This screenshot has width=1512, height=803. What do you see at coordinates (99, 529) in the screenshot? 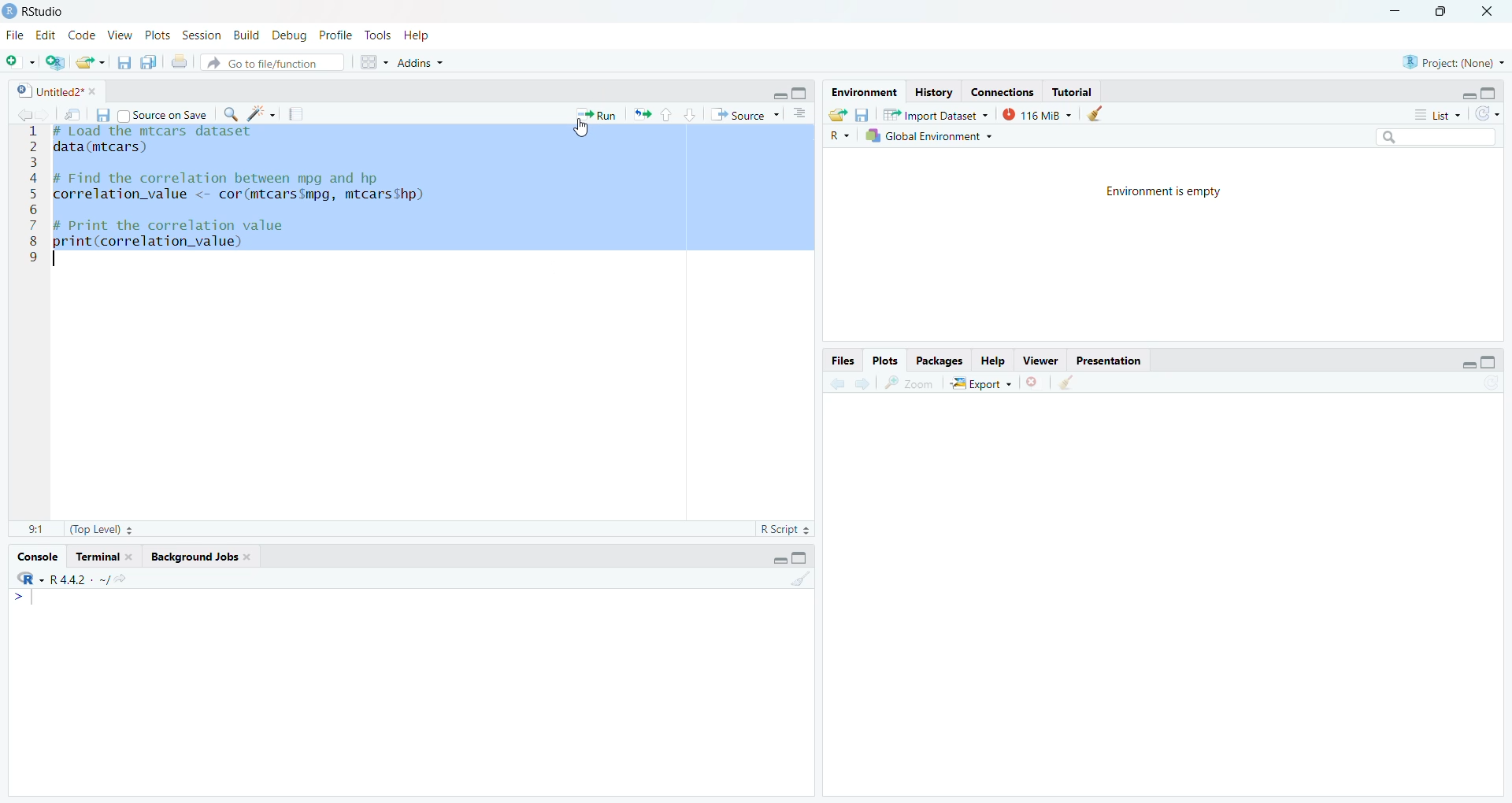
I see `(Top Level)` at bounding box center [99, 529].